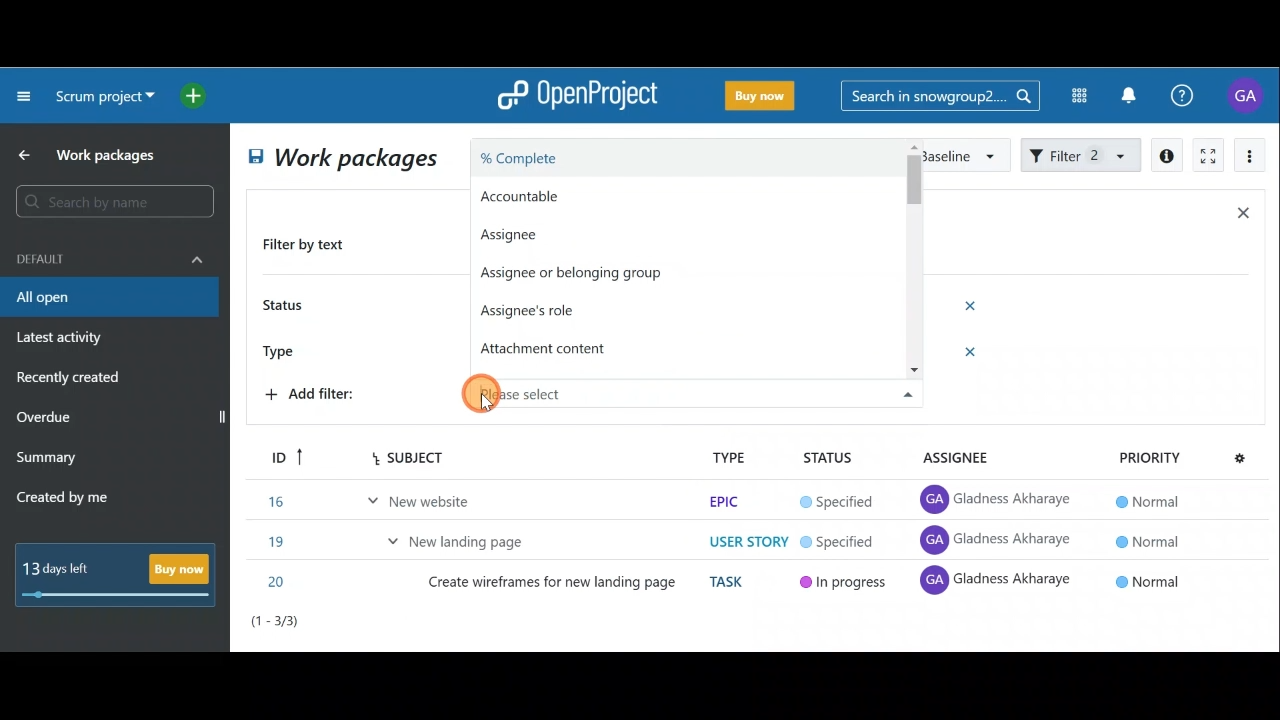  Describe the element at coordinates (968, 458) in the screenshot. I see `ASSIGNEE` at that location.